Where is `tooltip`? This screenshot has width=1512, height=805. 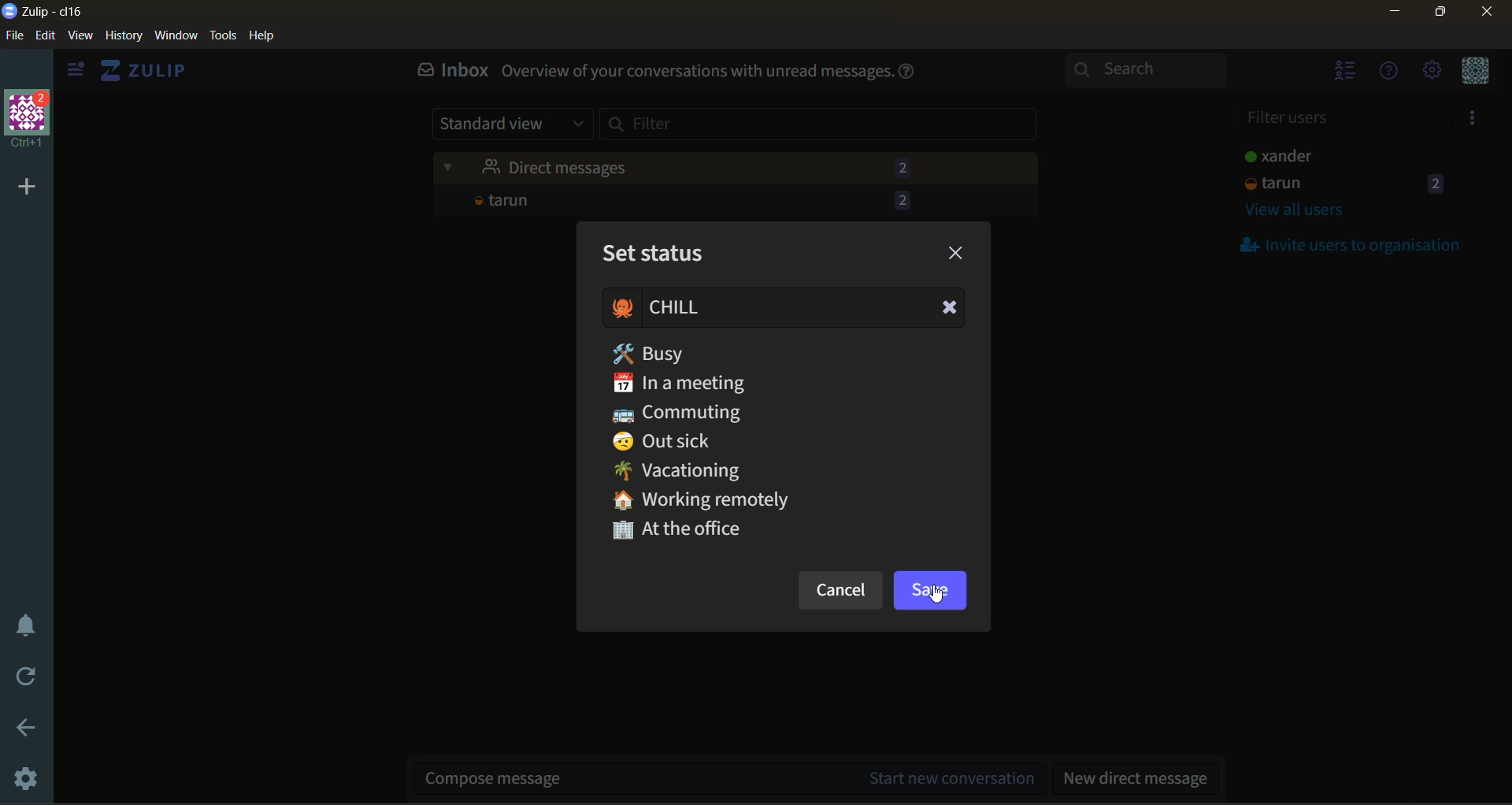 tooltip is located at coordinates (641, 356).